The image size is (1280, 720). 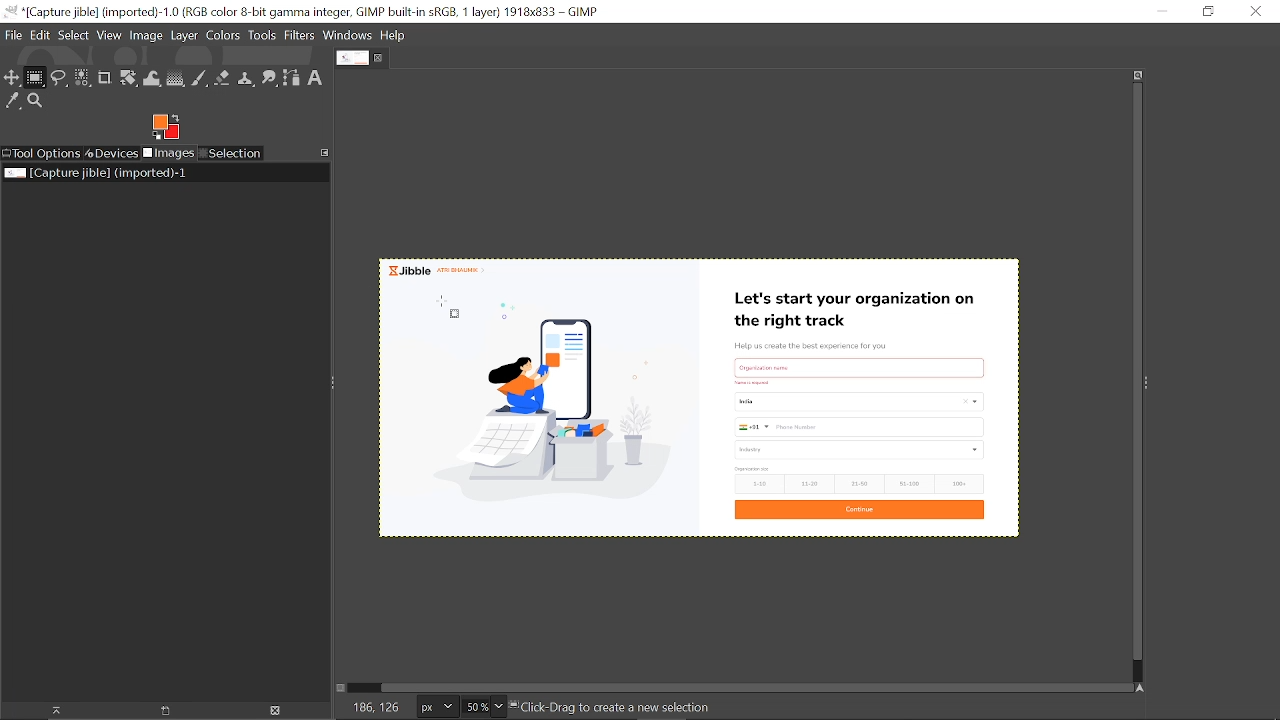 What do you see at coordinates (442, 270) in the screenshot?
I see `Jibble` at bounding box center [442, 270].